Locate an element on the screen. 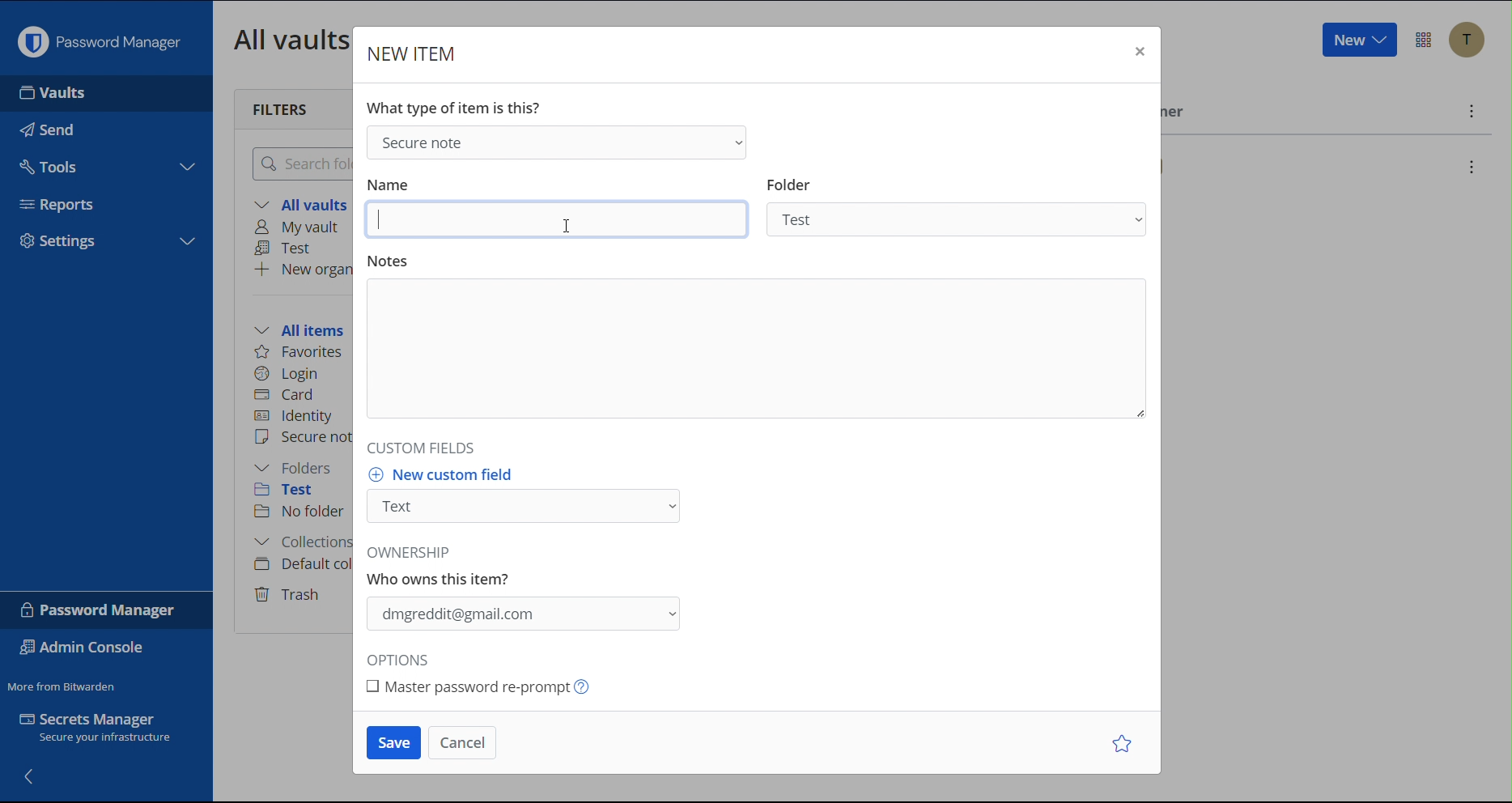 This screenshot has height=803, width=1512. Secure is located at coordinates (302, 439).